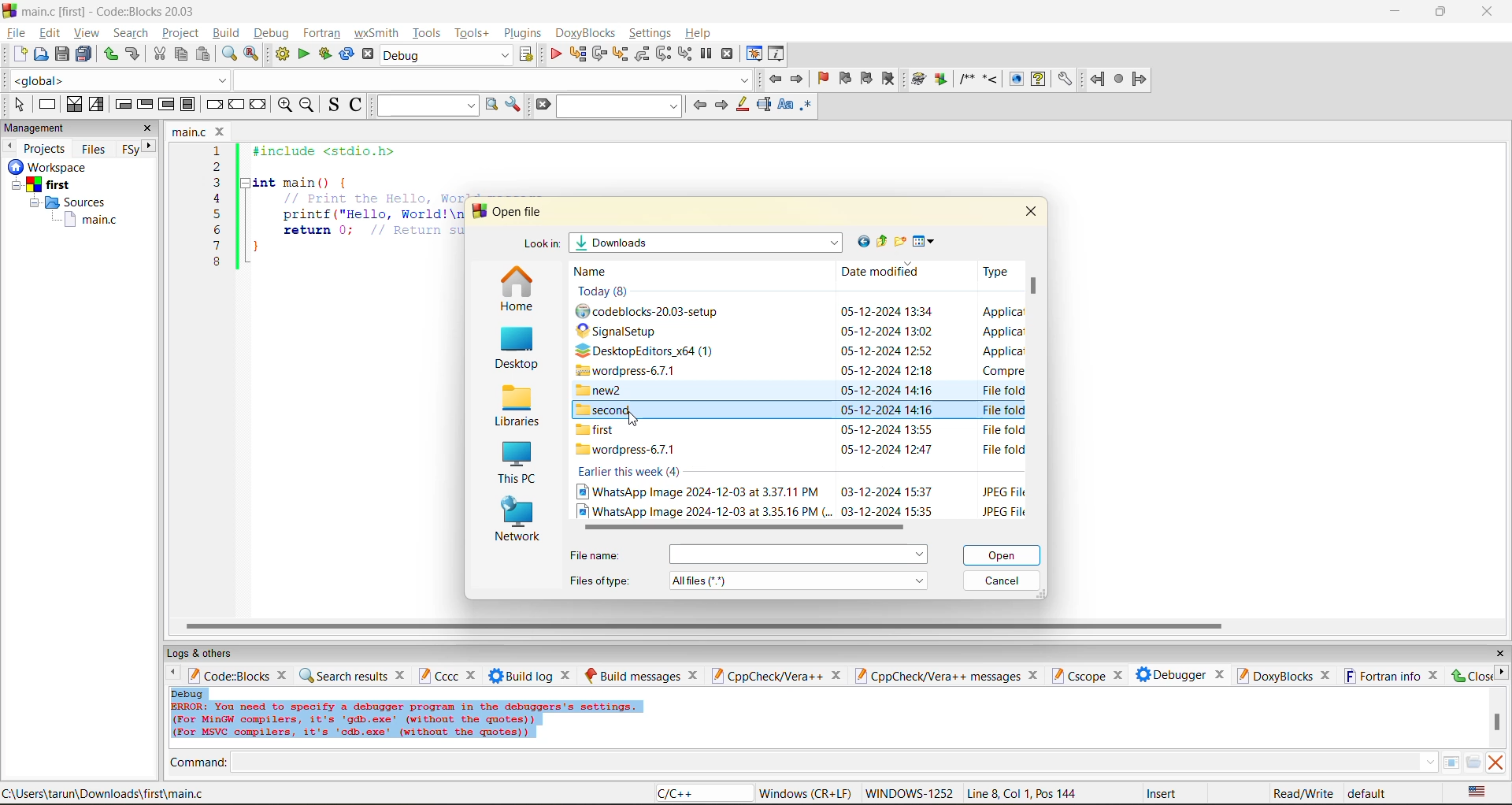 This screenshot has height=805, width=1512. Describe the element at coordinates (799, 78) in the screenshot. I see `jump forward` at that location.